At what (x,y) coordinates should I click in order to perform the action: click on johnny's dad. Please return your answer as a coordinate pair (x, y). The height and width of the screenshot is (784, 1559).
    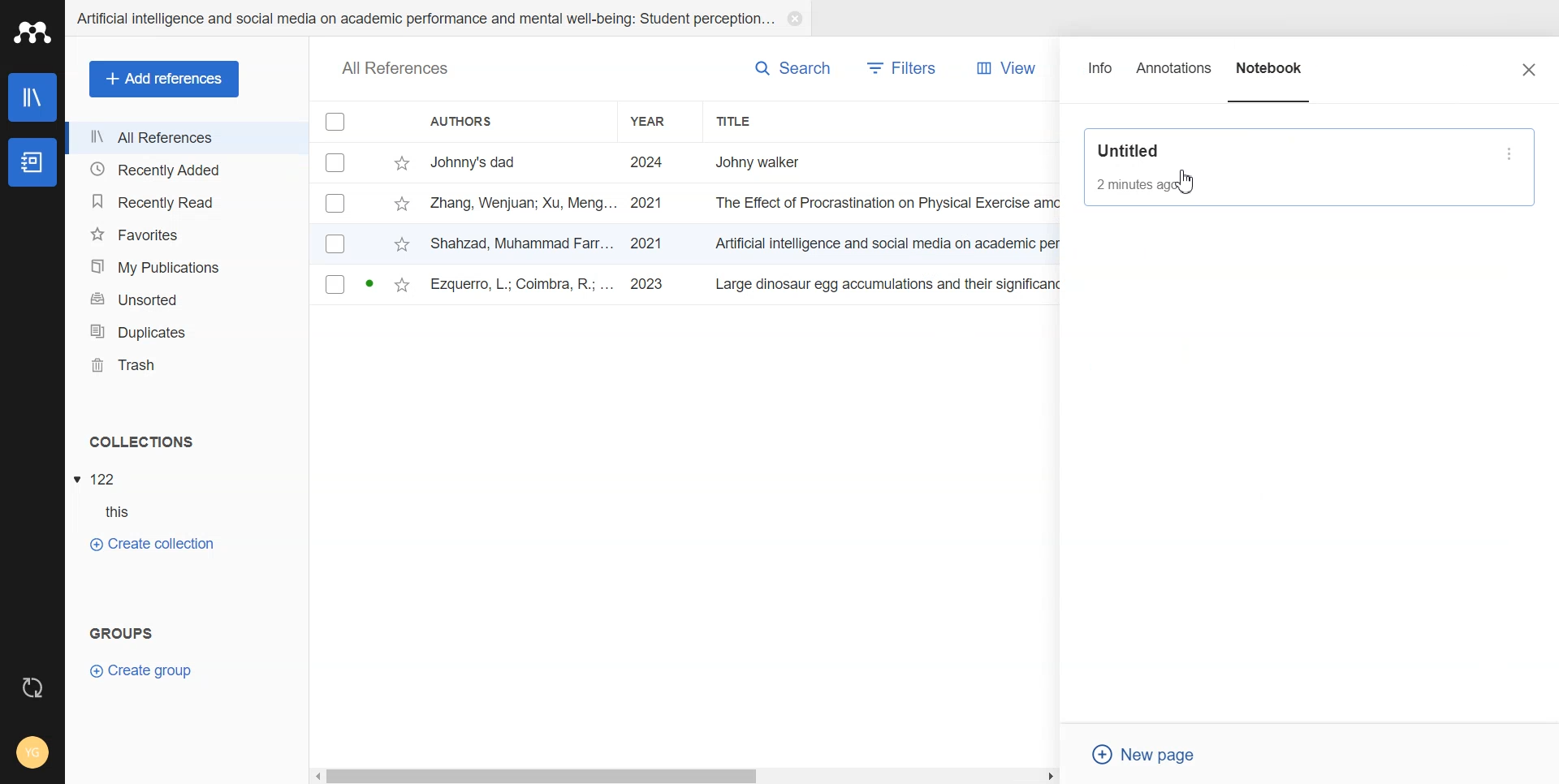
    Looking at the image, I should click on (524, 161).